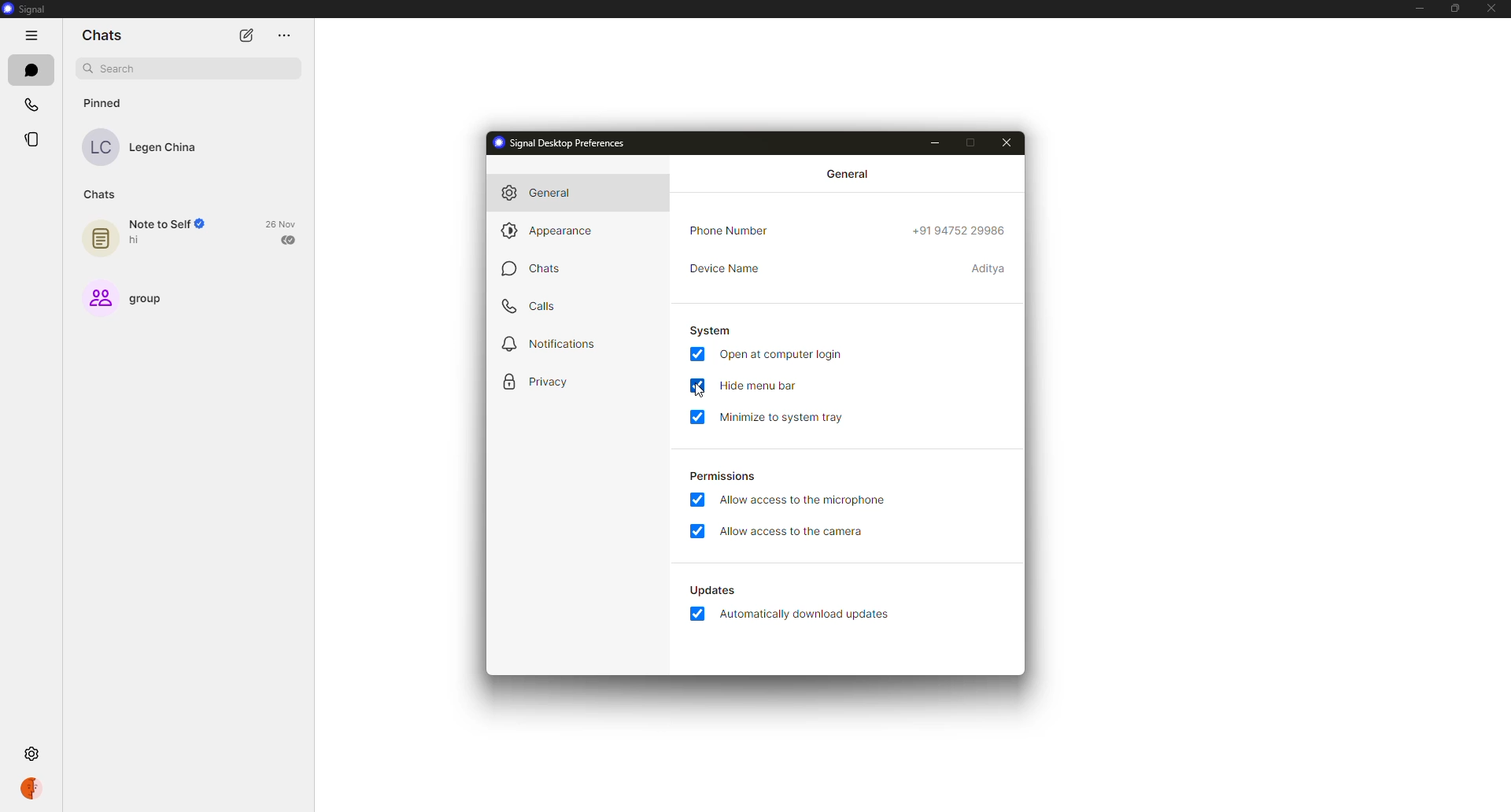  Describe the element at coordinates (100, 37) in the screenshot. I see `chats` at that location.